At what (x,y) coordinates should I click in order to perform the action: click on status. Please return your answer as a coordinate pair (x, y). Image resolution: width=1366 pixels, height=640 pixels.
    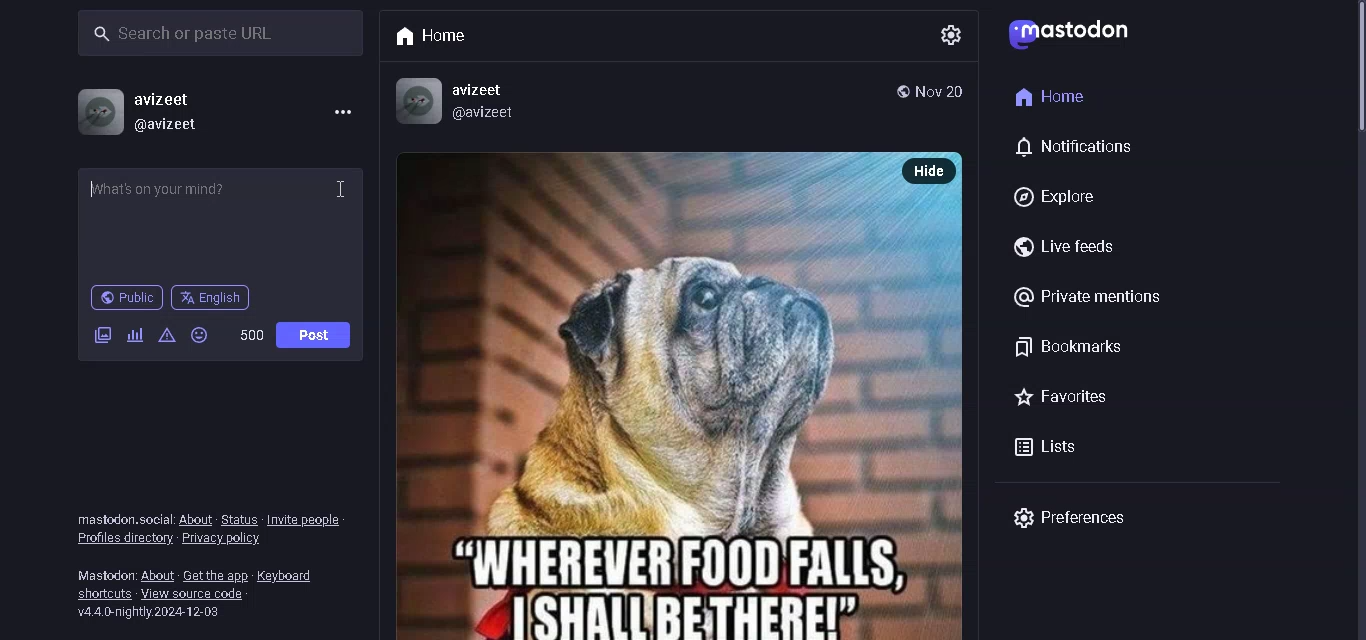
    Looking at the image, I should click on (240, 519).